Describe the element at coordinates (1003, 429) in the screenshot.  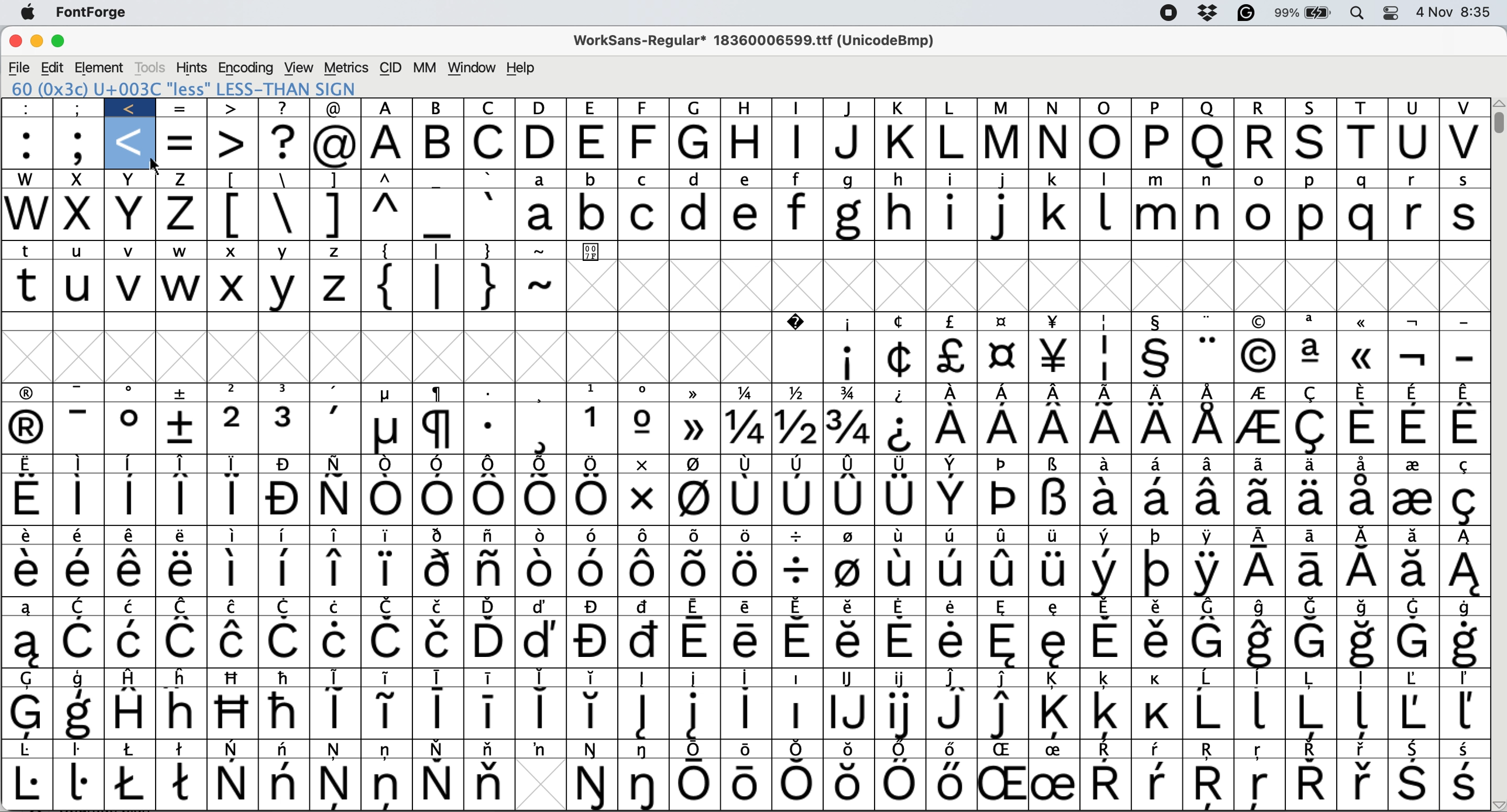
I see `Symbol` at that location.